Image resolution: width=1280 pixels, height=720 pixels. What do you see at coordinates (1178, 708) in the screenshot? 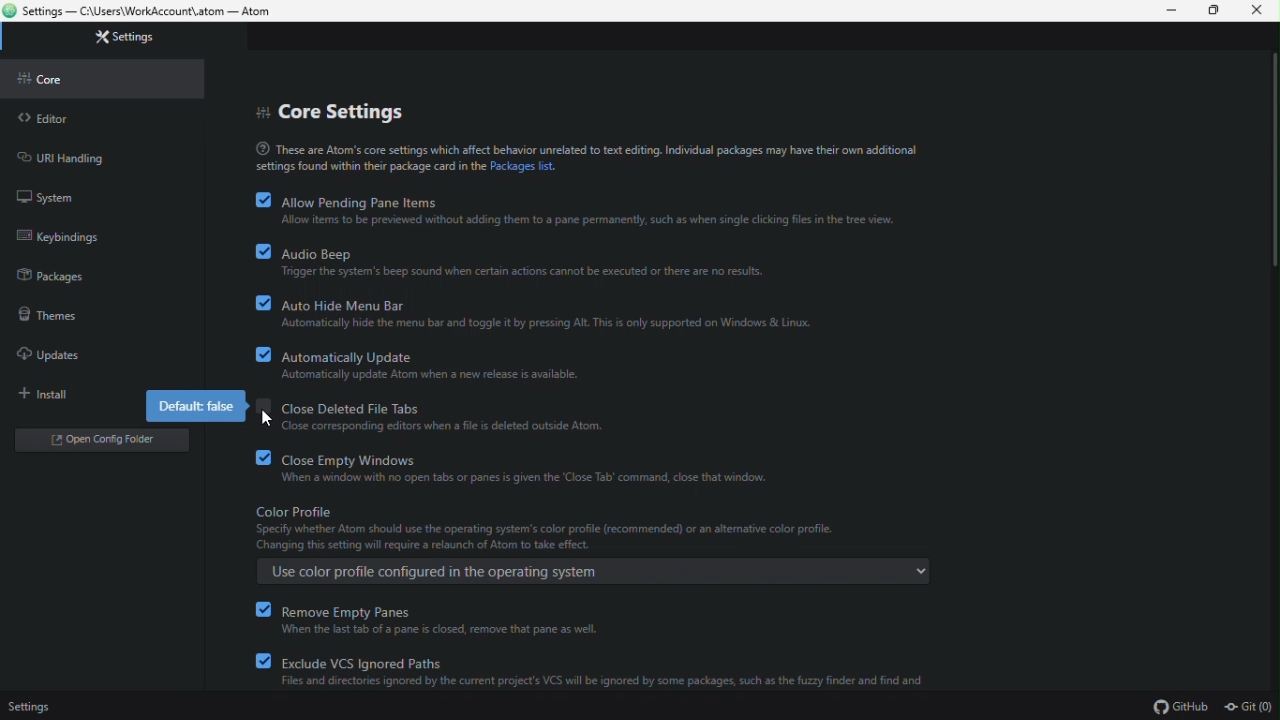
I see `GitHub` at bounding box center [1178, 708].